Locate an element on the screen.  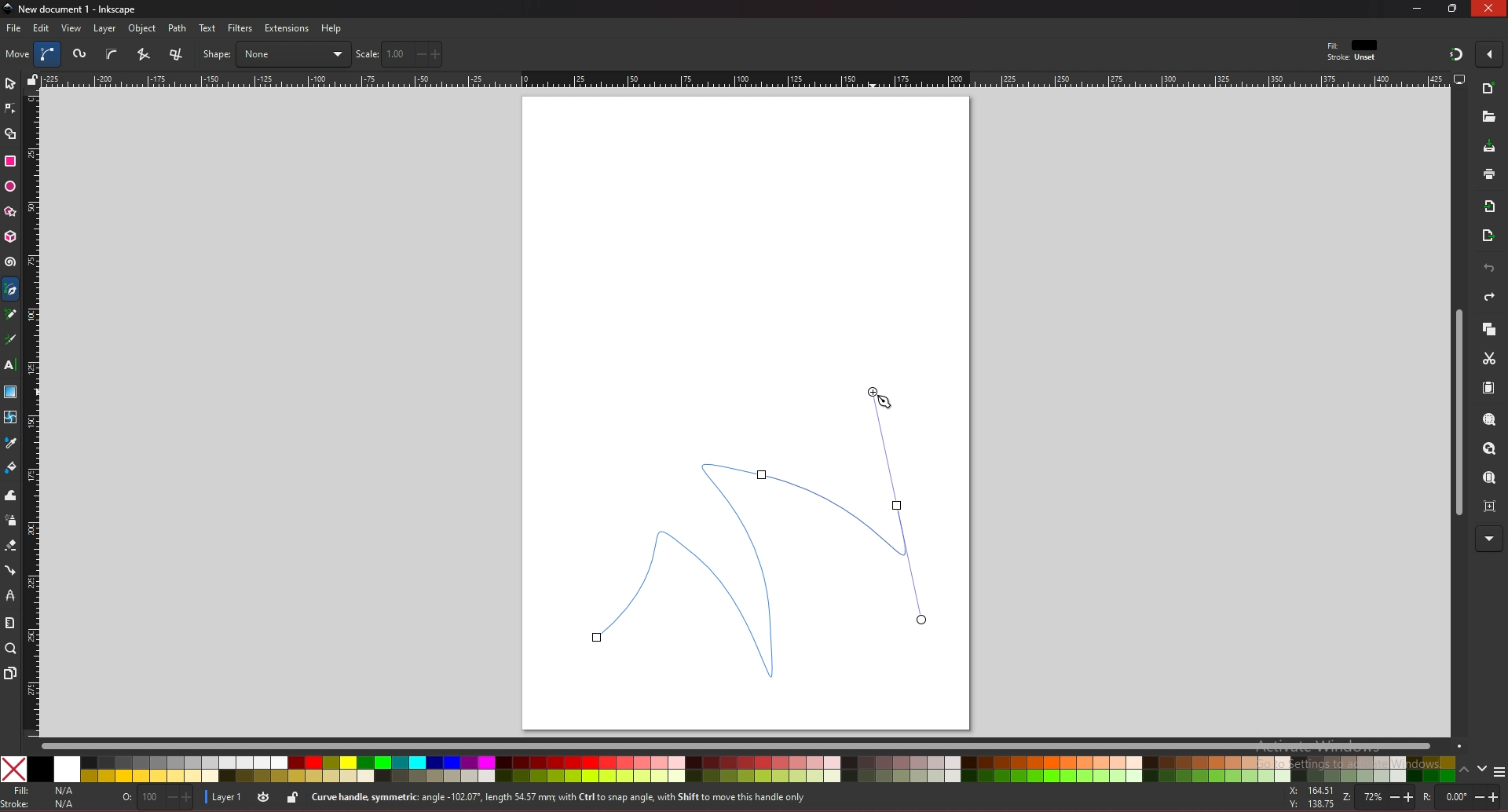
bezier curve is located at coordinates (756, 529).